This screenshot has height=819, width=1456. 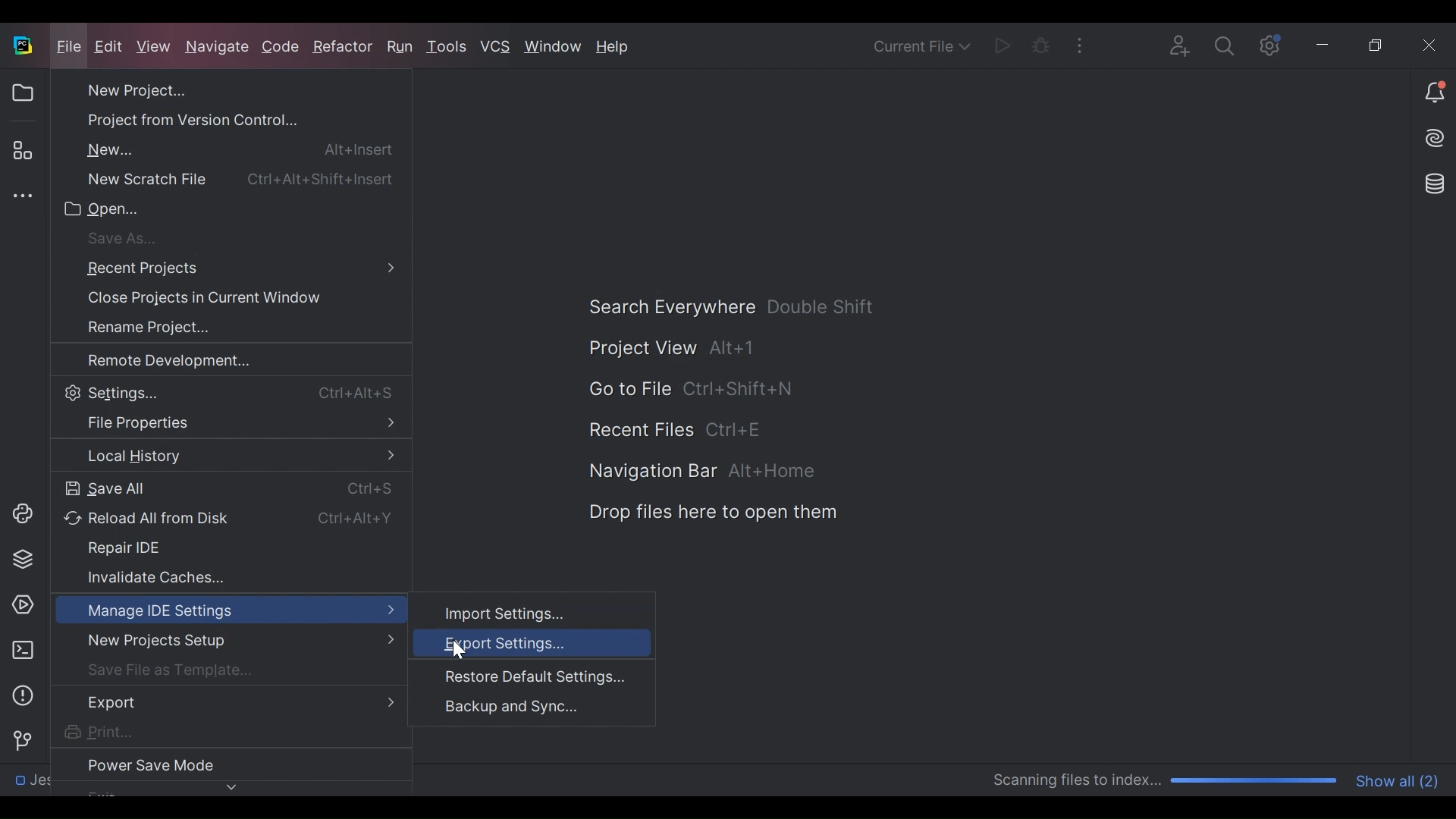 What do you see at coordinates (1181, 44) in the screenshot?
I see `Code with Me` at bounding box center [1181, 44].